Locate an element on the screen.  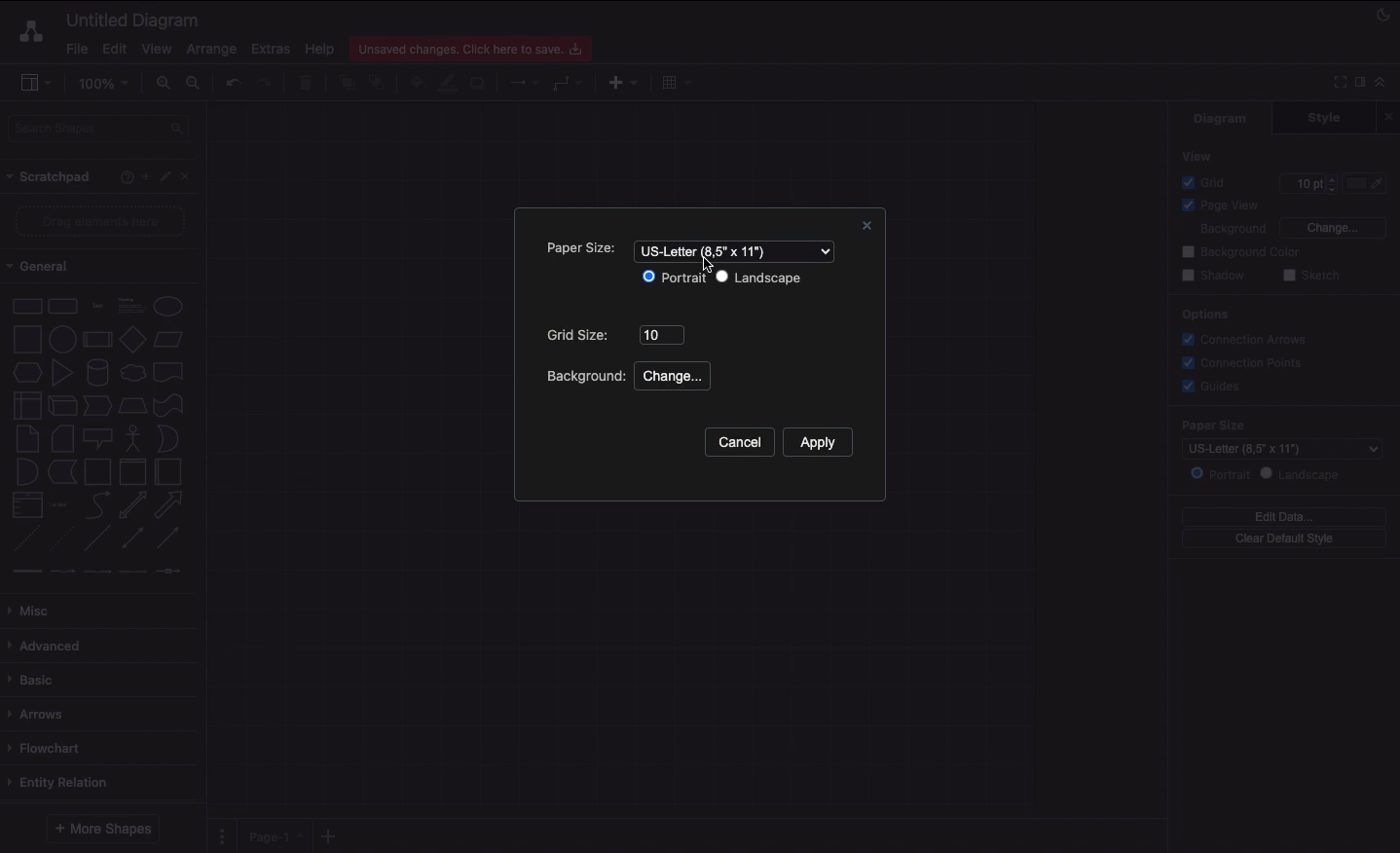
Edit is located at coordinates (112, 49).